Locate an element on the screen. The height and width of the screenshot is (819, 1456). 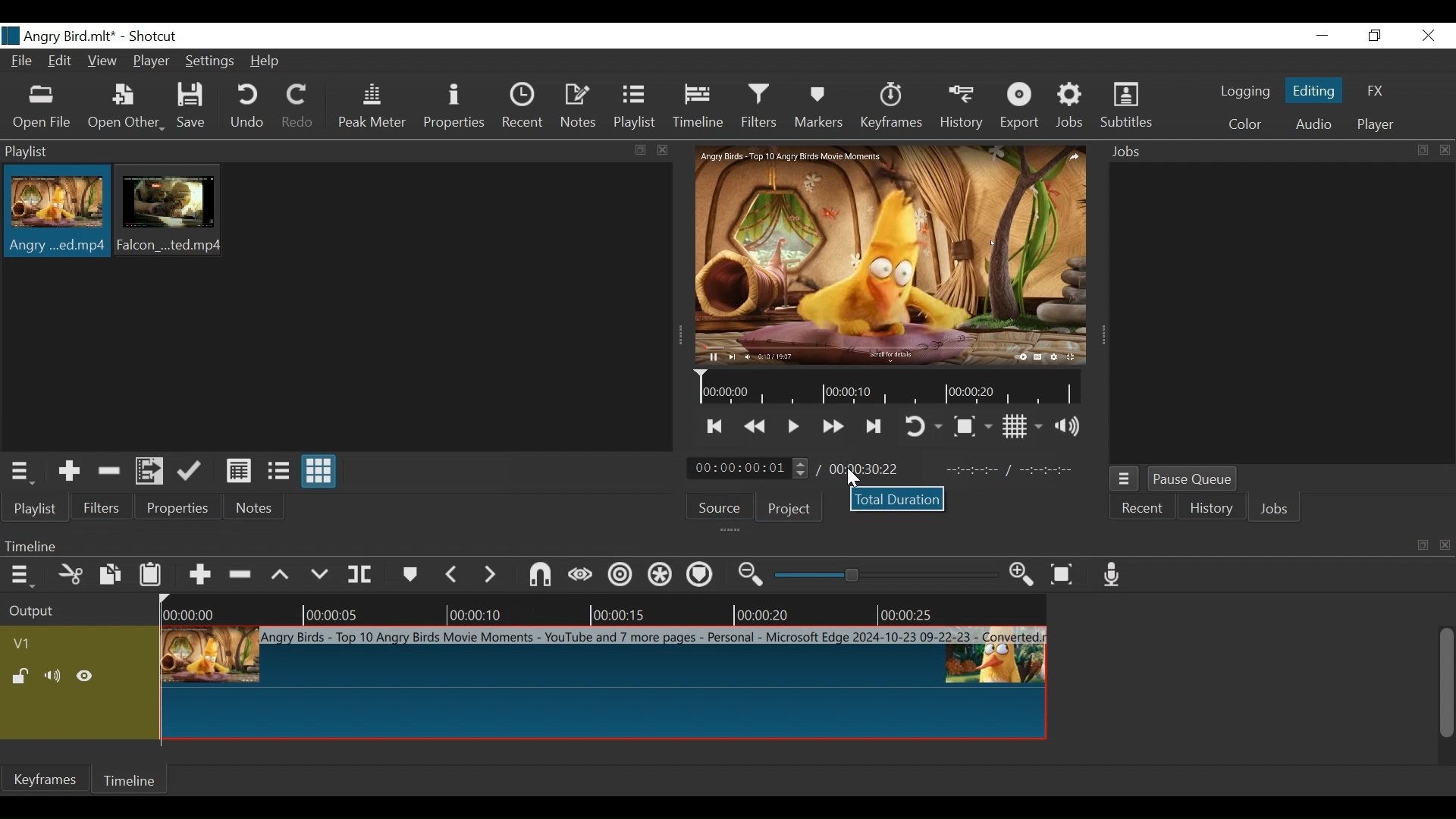
Jobs is located at coordinates (1272, 511).